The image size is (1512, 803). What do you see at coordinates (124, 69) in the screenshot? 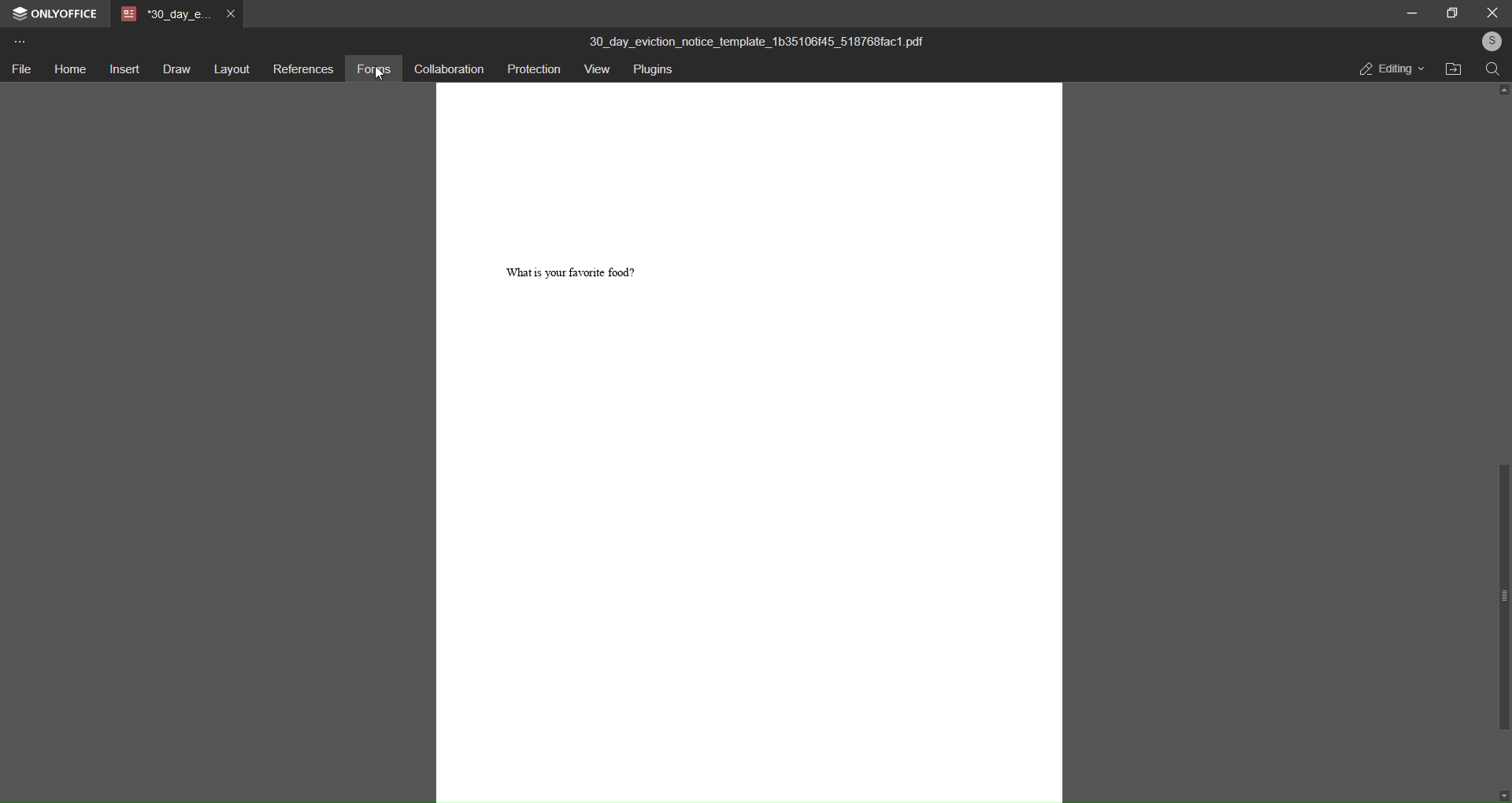
I see `insert` at bounding box center [124, 69].